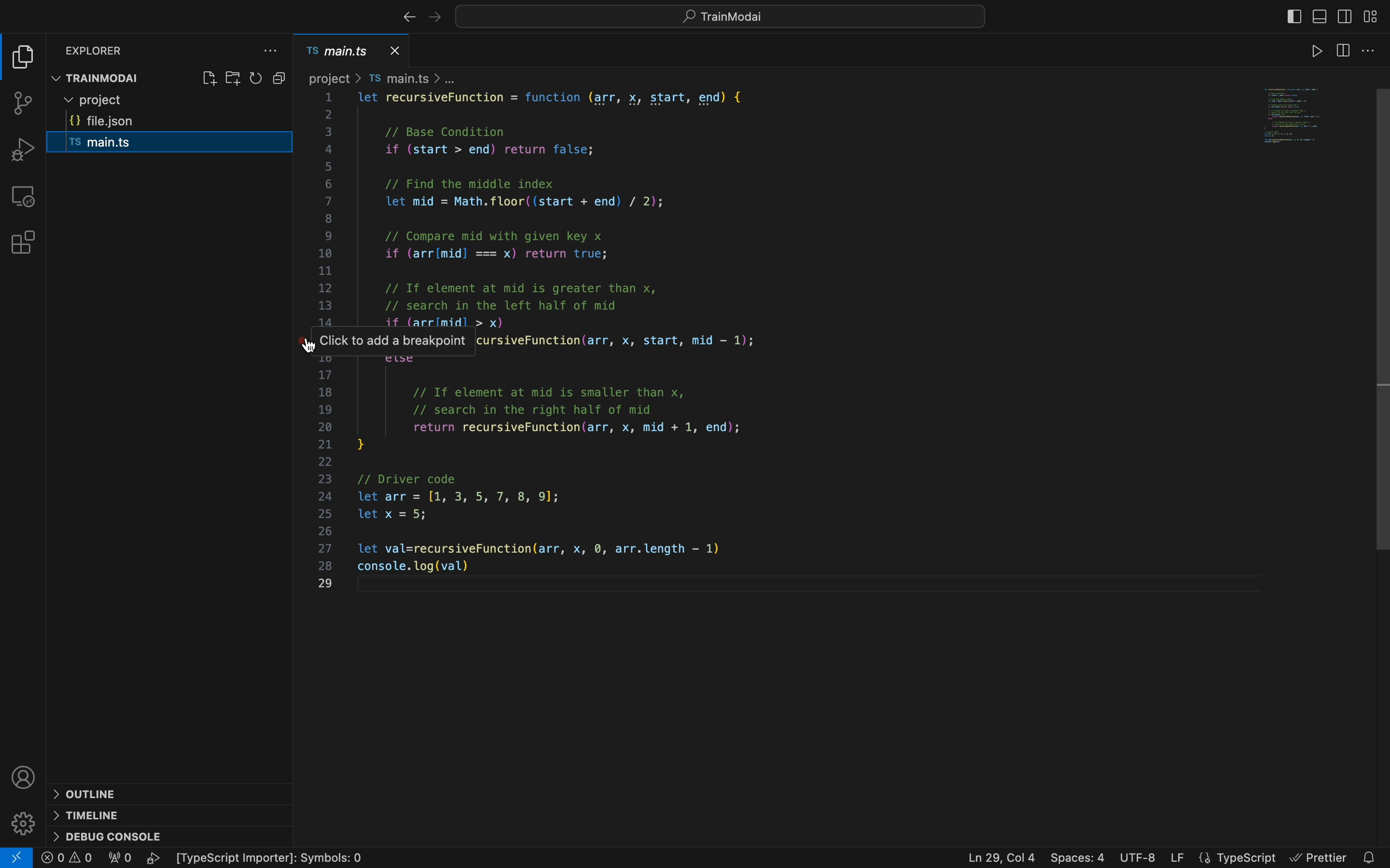 The width and height of the screenshot is (1390, 868). I want to click on toggle sidebar, so click(1343, 55).